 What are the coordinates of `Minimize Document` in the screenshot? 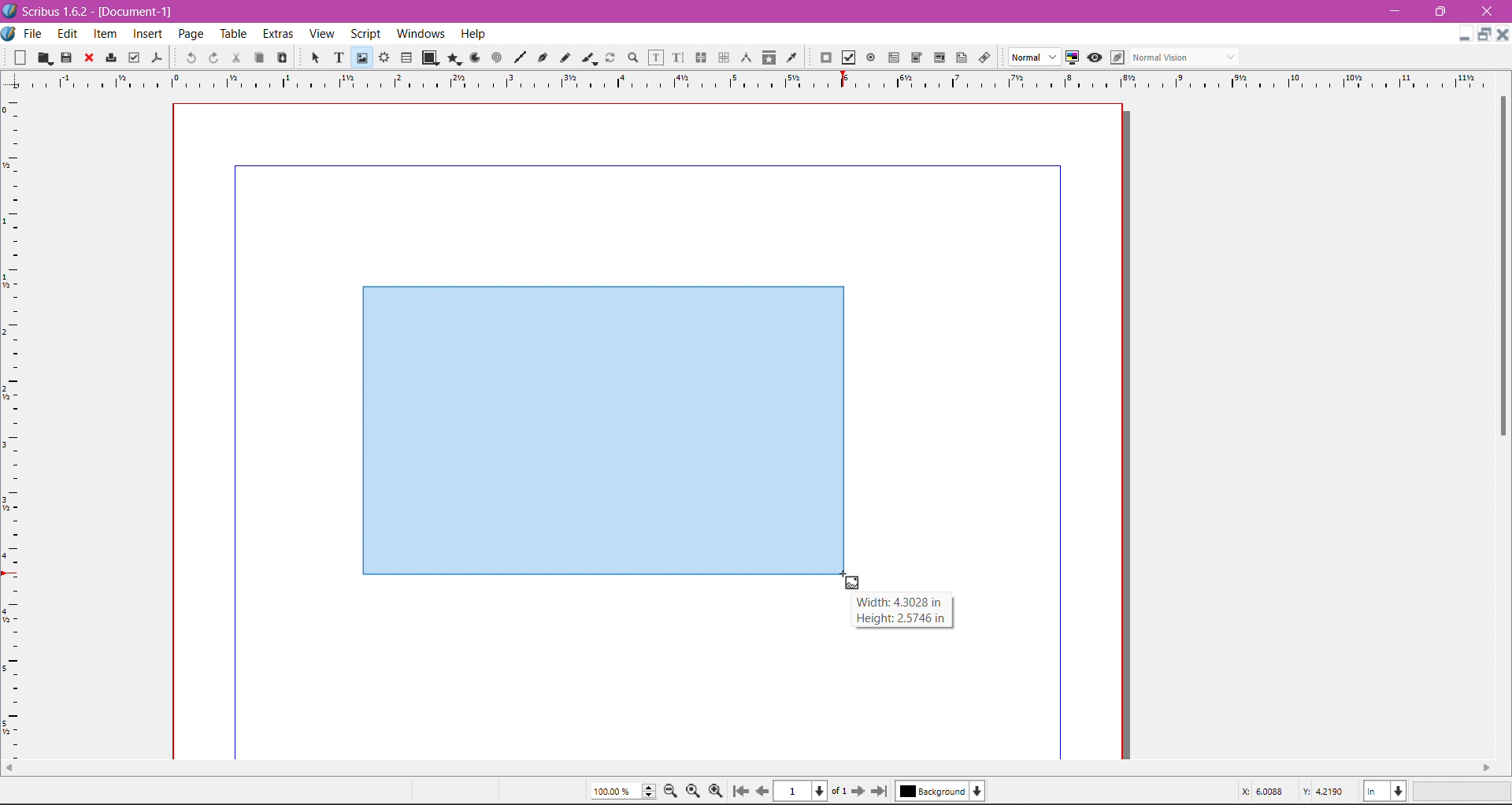 It's located at (1465, 34).